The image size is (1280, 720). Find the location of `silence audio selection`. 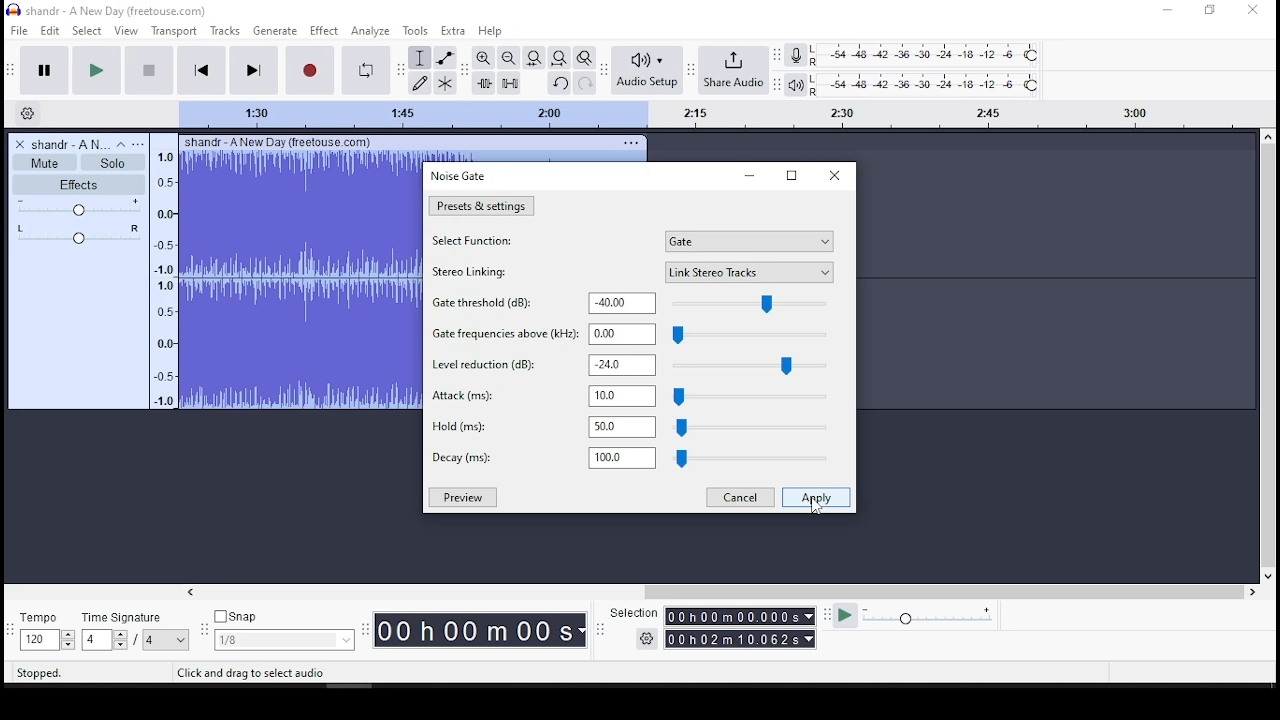

silence audio selection is located at coordinates (509, 83).